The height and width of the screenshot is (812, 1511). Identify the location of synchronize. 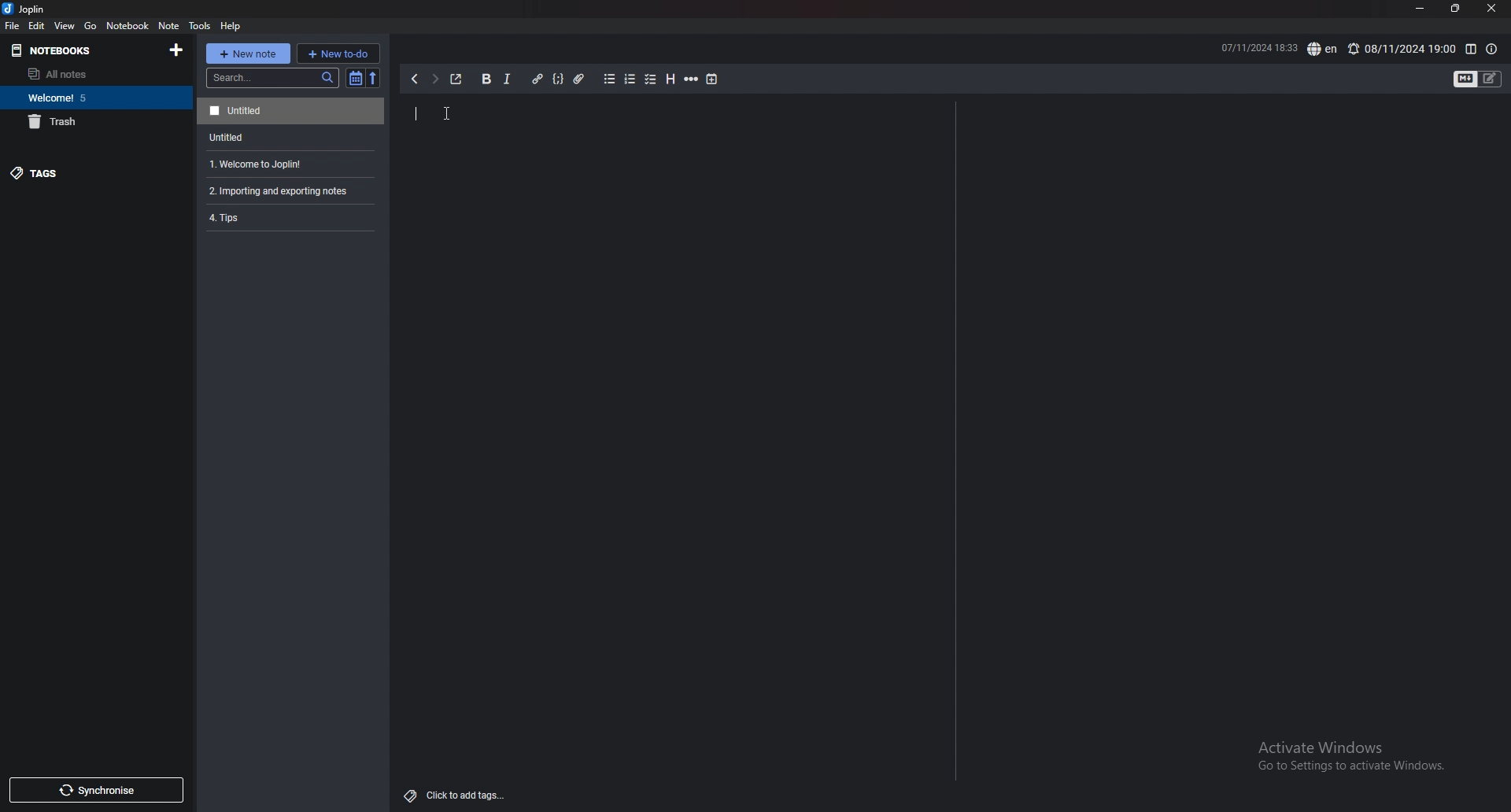
(95, 790).